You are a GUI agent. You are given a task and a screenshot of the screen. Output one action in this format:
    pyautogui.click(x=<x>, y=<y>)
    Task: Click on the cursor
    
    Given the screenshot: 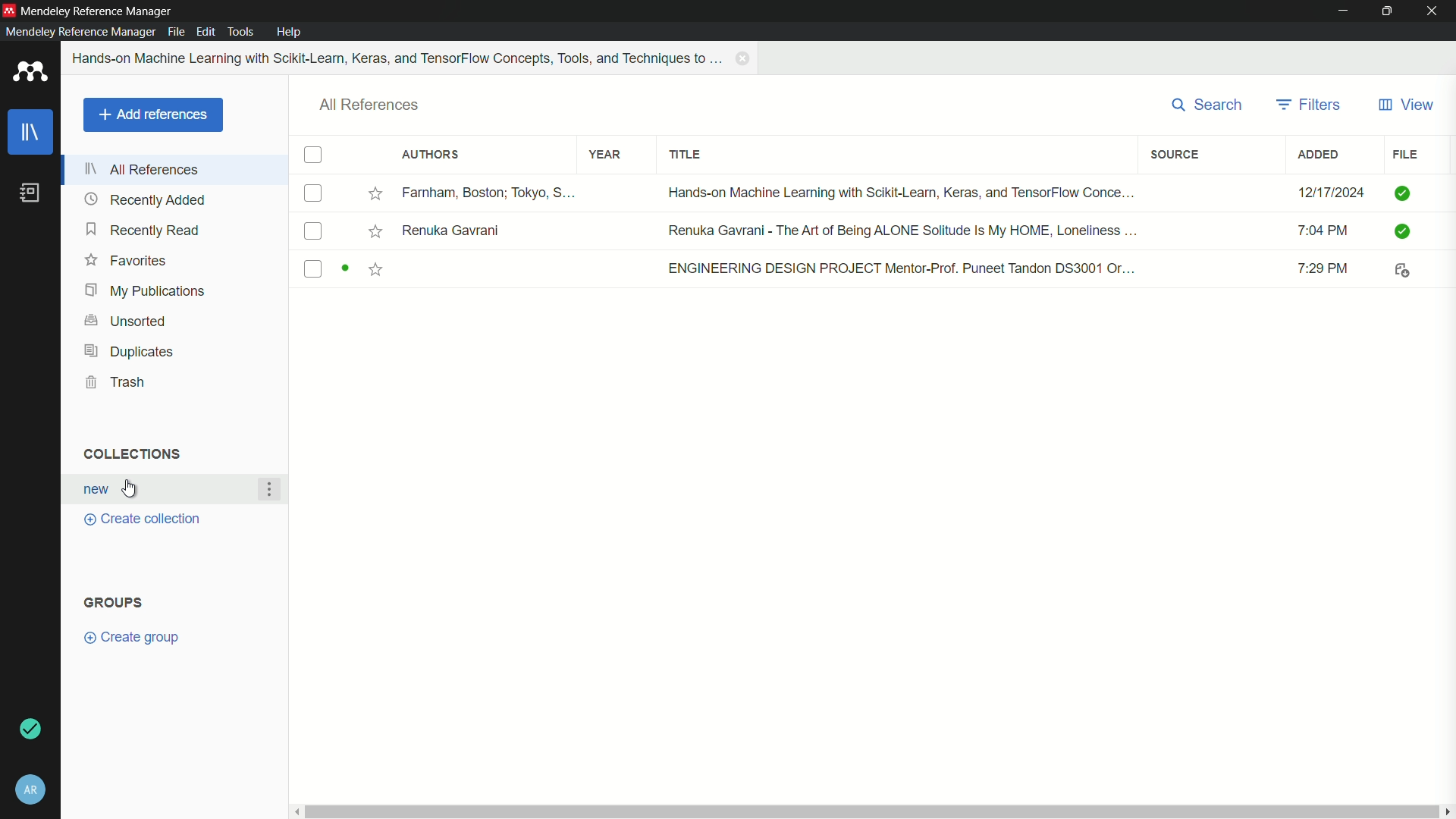 What is the action you would take?
    pyautogui.click(x=131, y=490)
    